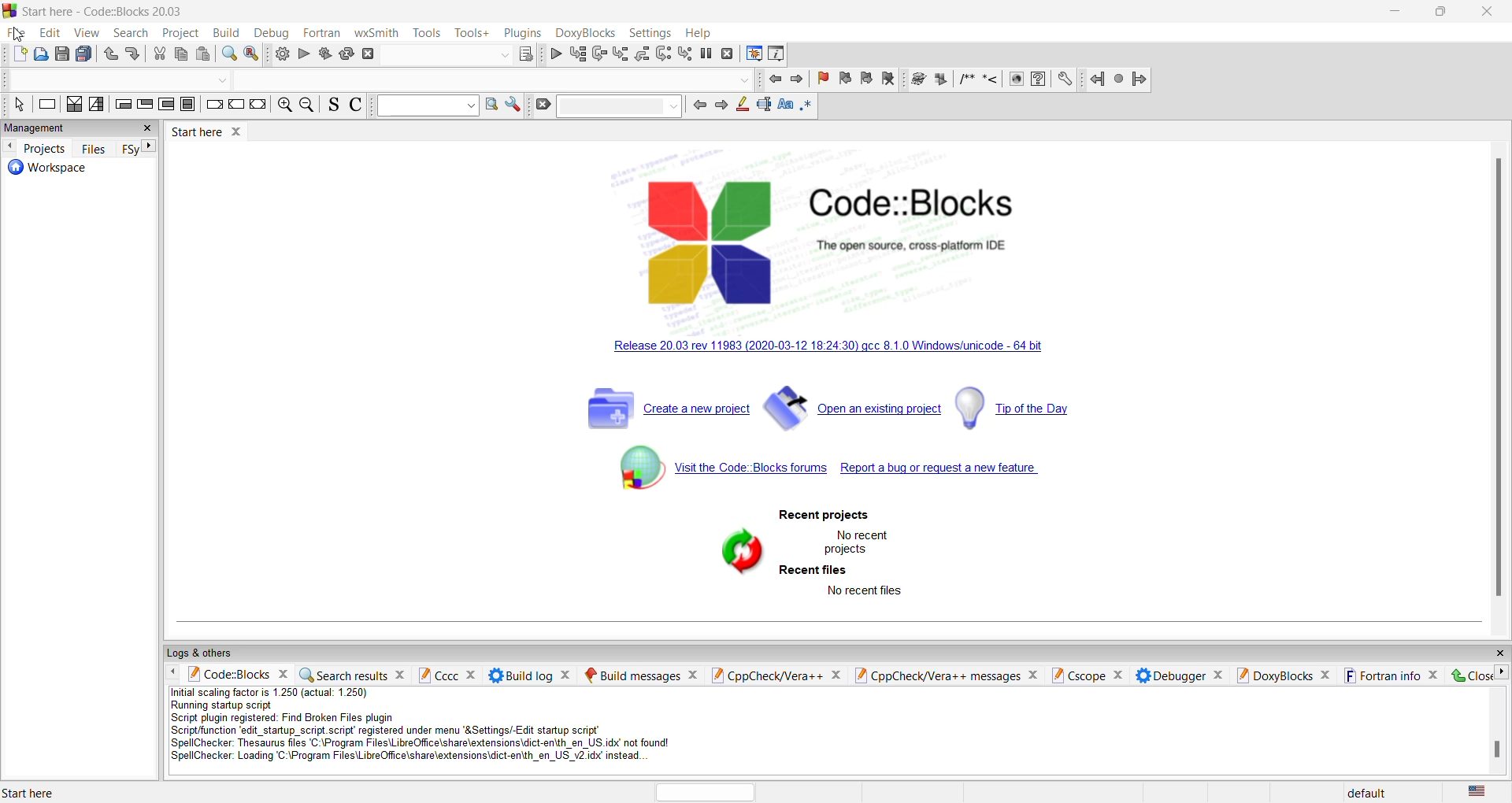  I want to click on edit, so click(50, 33).